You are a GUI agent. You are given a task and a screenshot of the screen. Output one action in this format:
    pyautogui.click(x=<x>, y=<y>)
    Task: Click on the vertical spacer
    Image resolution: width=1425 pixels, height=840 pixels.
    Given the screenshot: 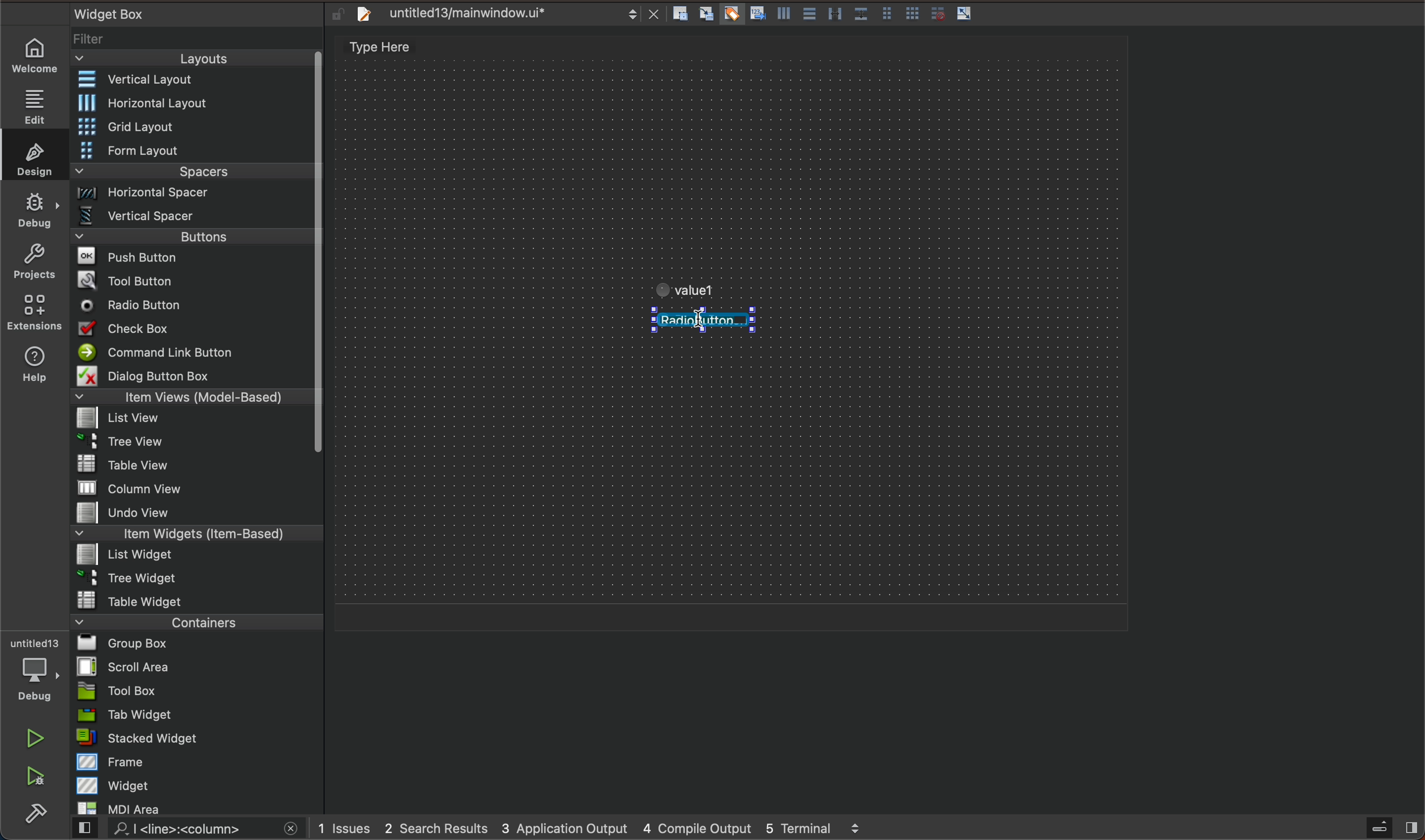 What is the action you would take?
    pyautogui.click(x=192, y=218)
    